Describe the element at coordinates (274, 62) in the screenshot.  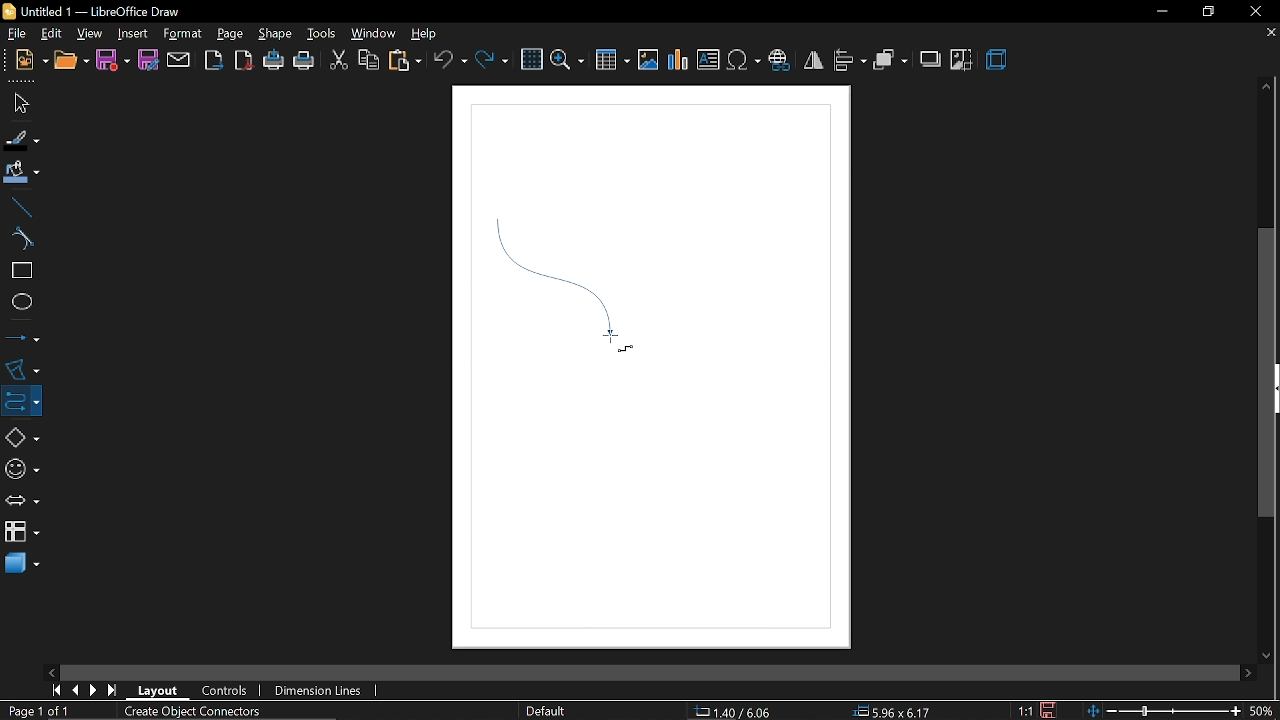
I see `print directly` at that location.